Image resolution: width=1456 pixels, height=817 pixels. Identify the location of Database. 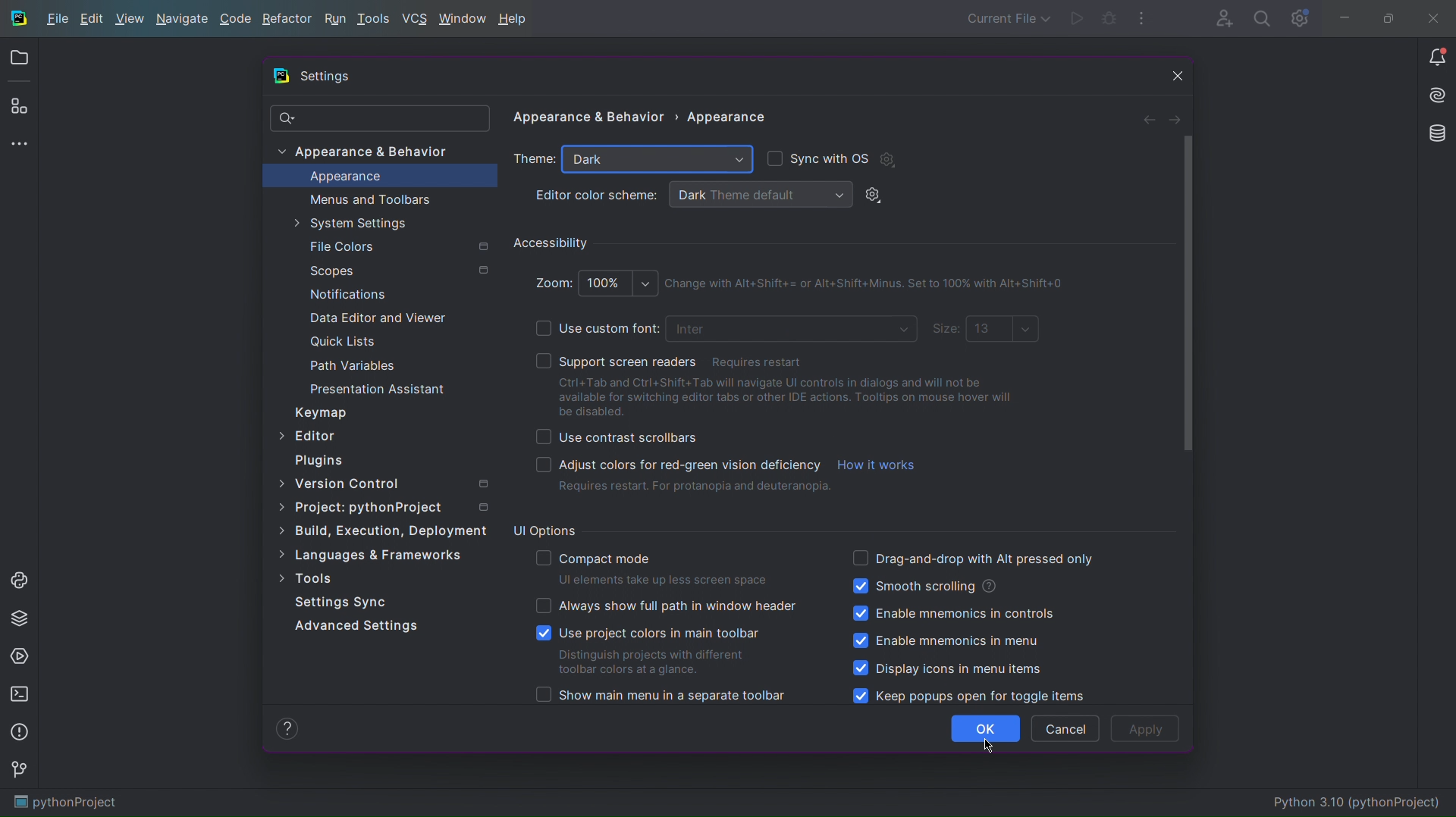
(1439, 135).